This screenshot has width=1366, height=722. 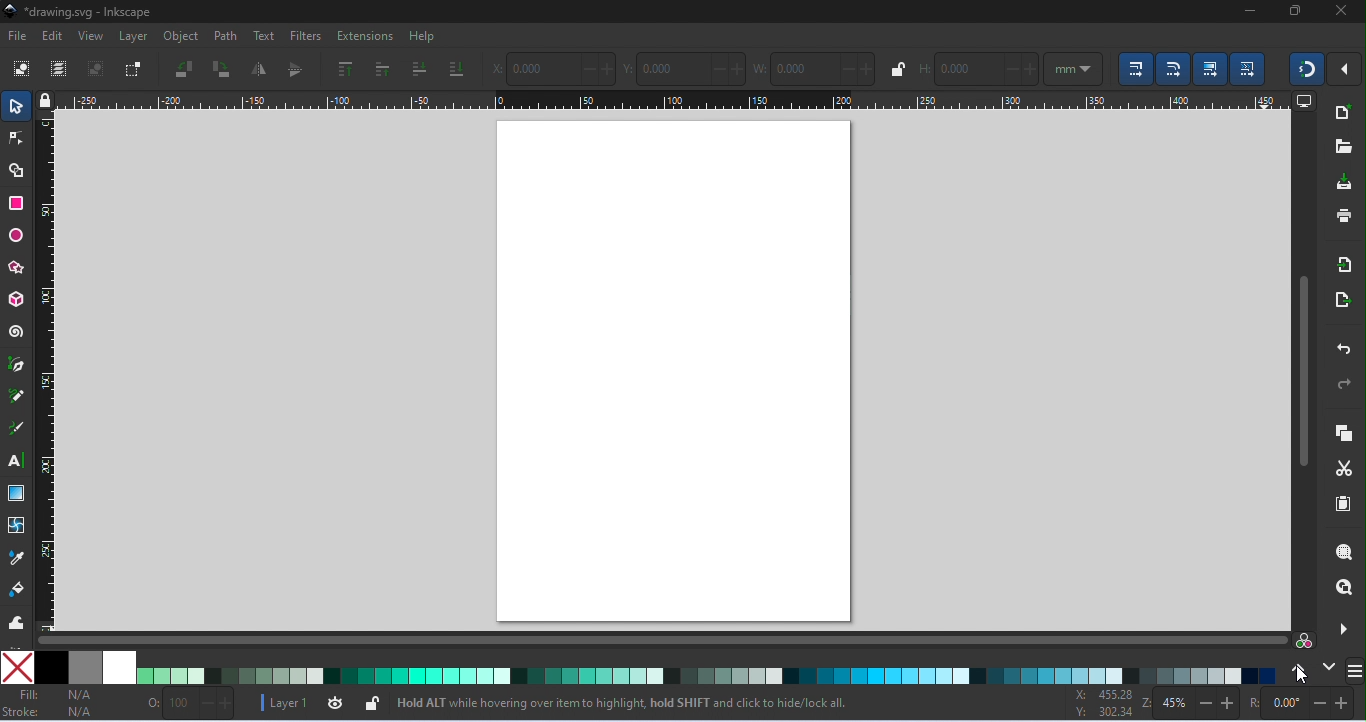 What do you see at coordinates (20, 365) in the screenshot?
I see `pen ` at bounding box center [20, 365].